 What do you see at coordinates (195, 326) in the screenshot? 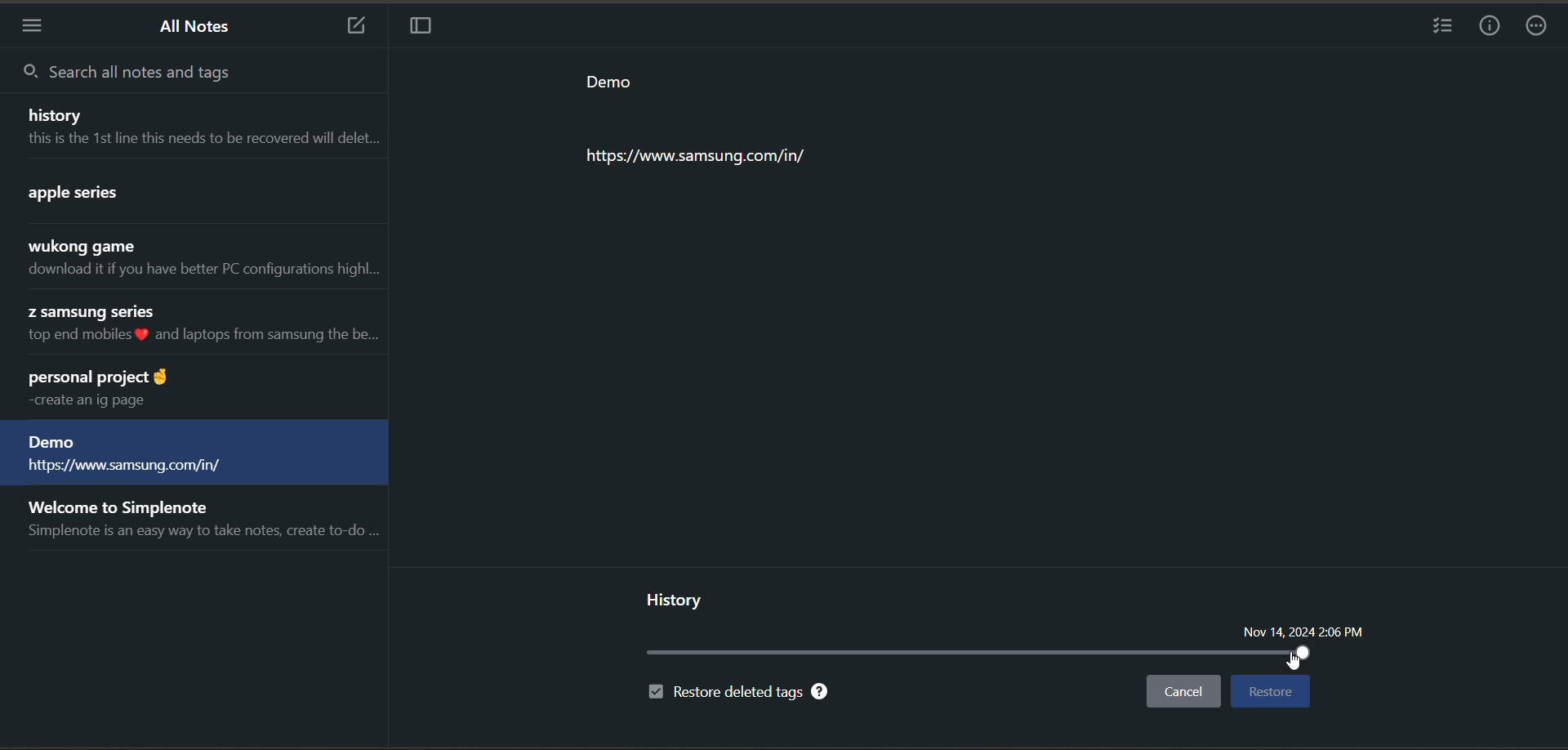
I see `note title and preview` at bounding box center [195, 326].